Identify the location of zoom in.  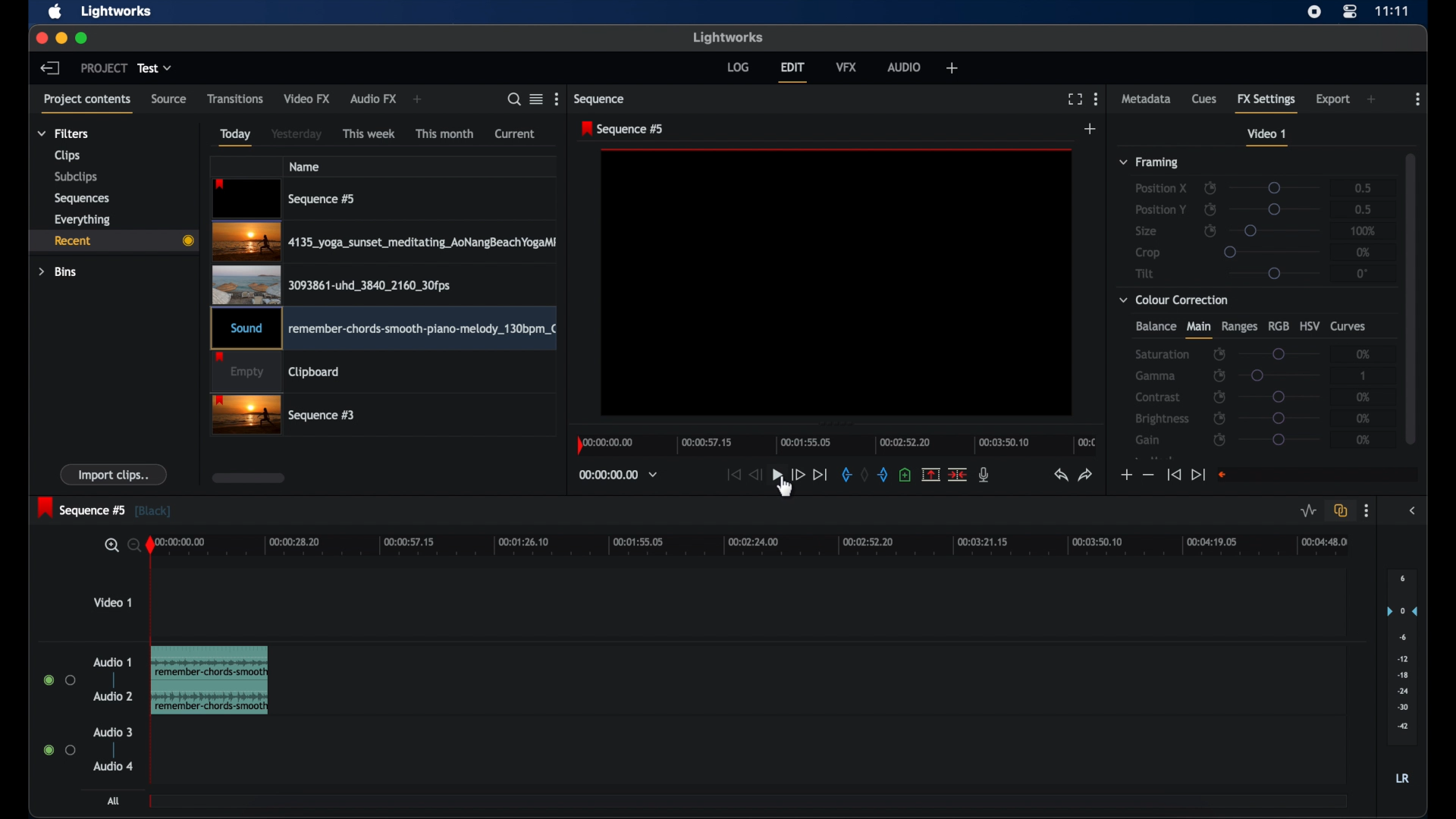
(108, 545).